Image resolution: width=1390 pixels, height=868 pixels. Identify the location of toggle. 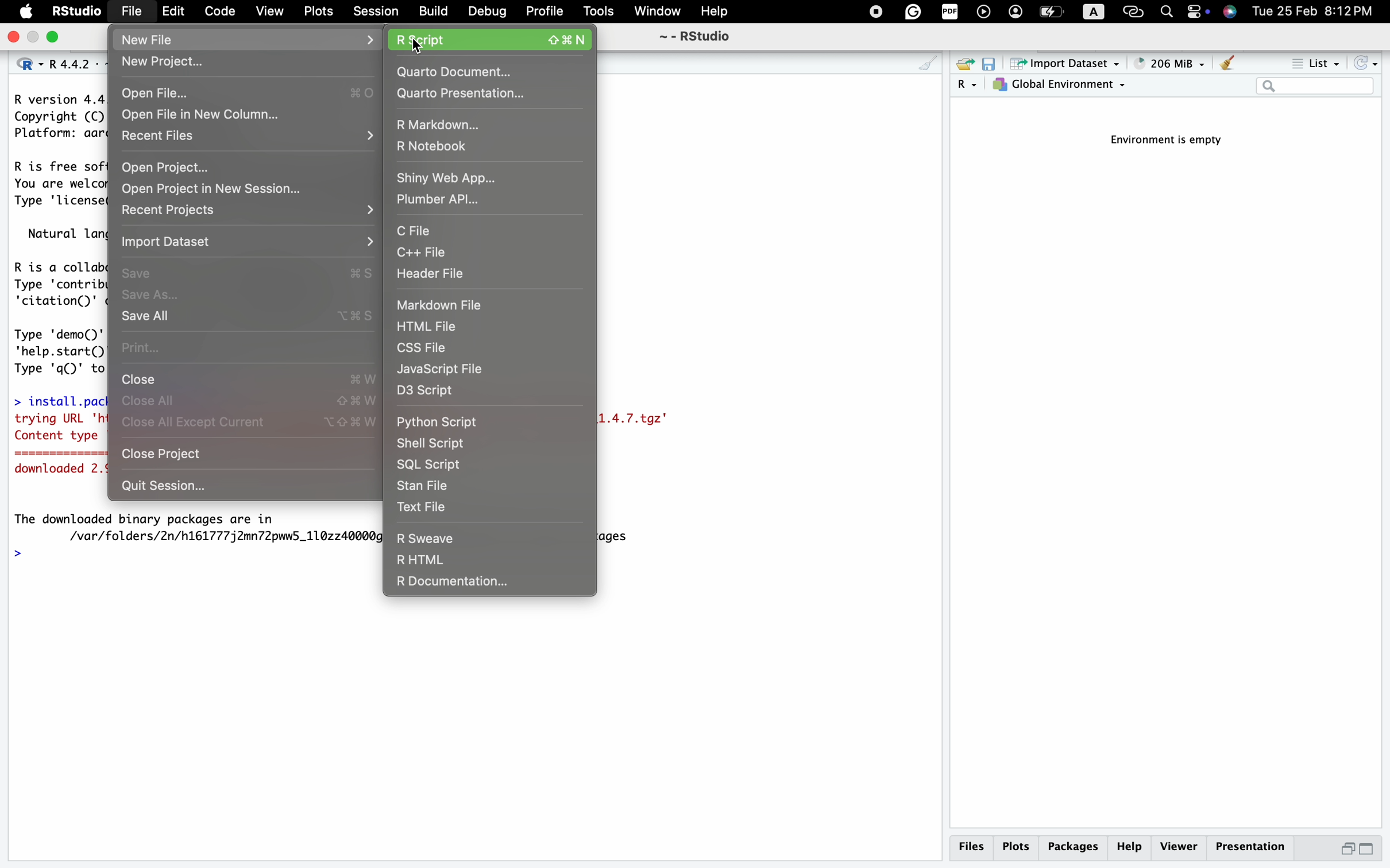
(1198, 13).